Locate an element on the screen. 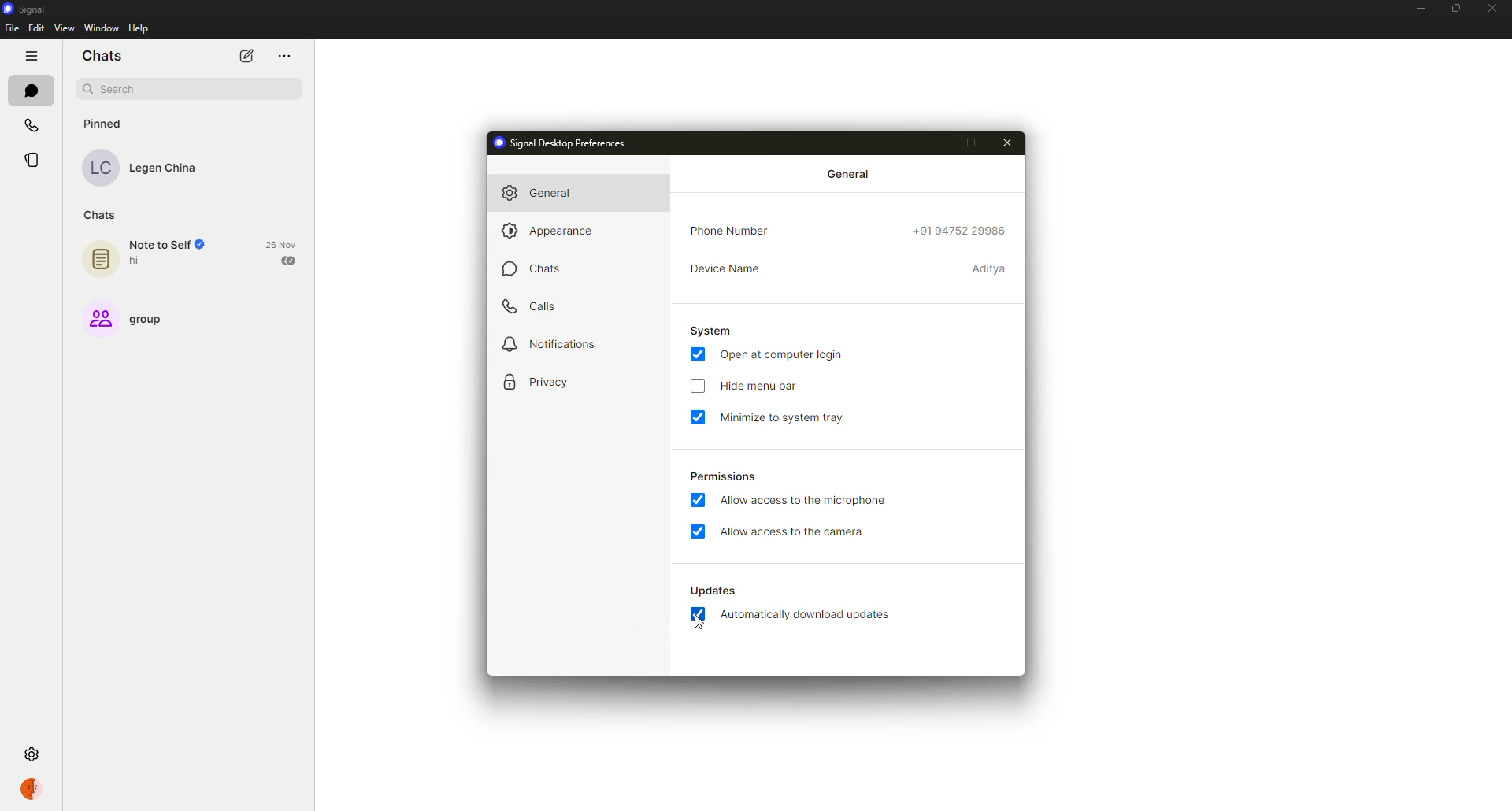 The image size is (1512, 811). stories is located at coordinates (34, 158).